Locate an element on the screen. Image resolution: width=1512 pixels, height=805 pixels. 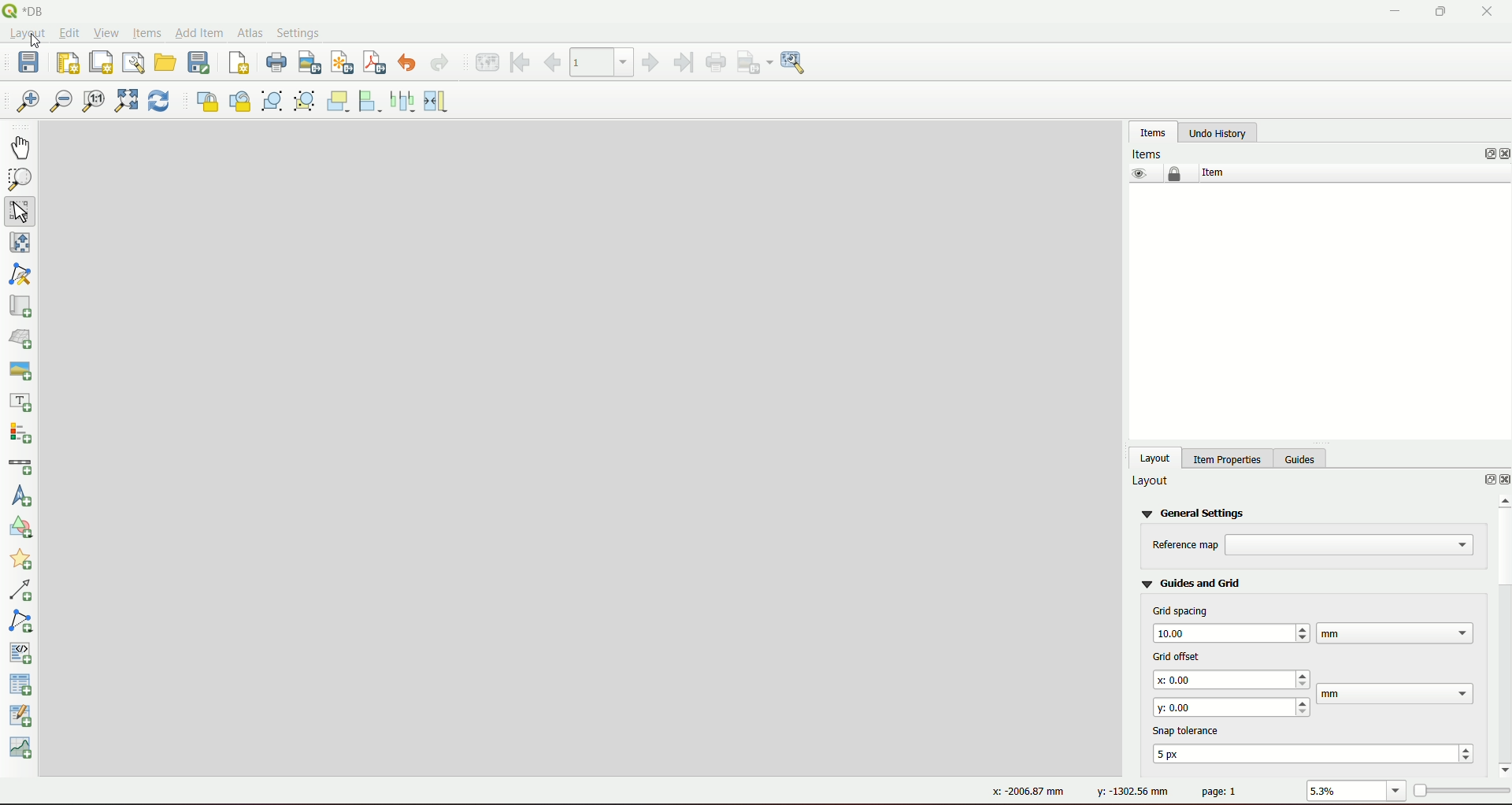
page 1 is located at coordinates (1220, 791).